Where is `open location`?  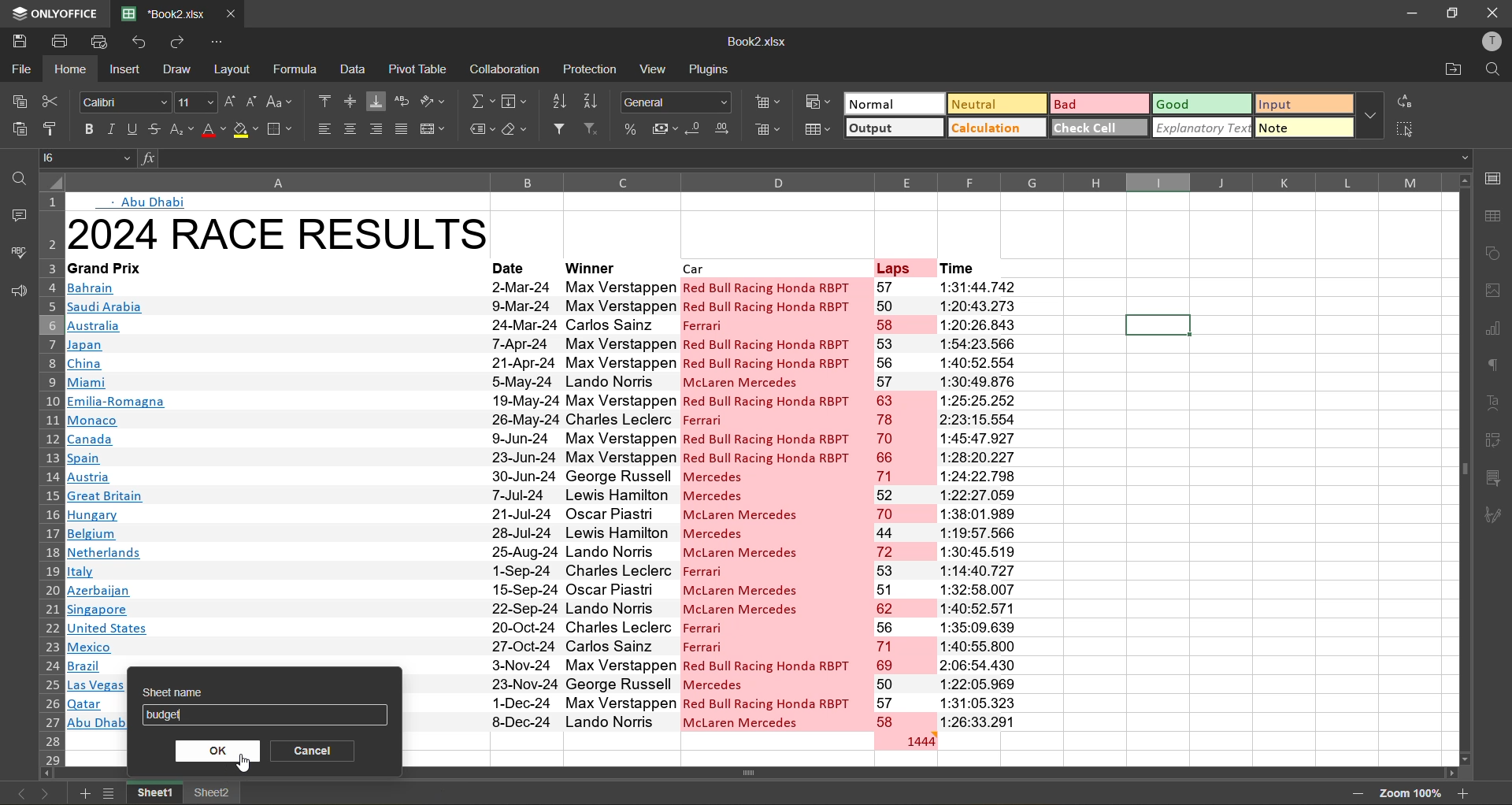
open location is located at coordinates (1446, 72).